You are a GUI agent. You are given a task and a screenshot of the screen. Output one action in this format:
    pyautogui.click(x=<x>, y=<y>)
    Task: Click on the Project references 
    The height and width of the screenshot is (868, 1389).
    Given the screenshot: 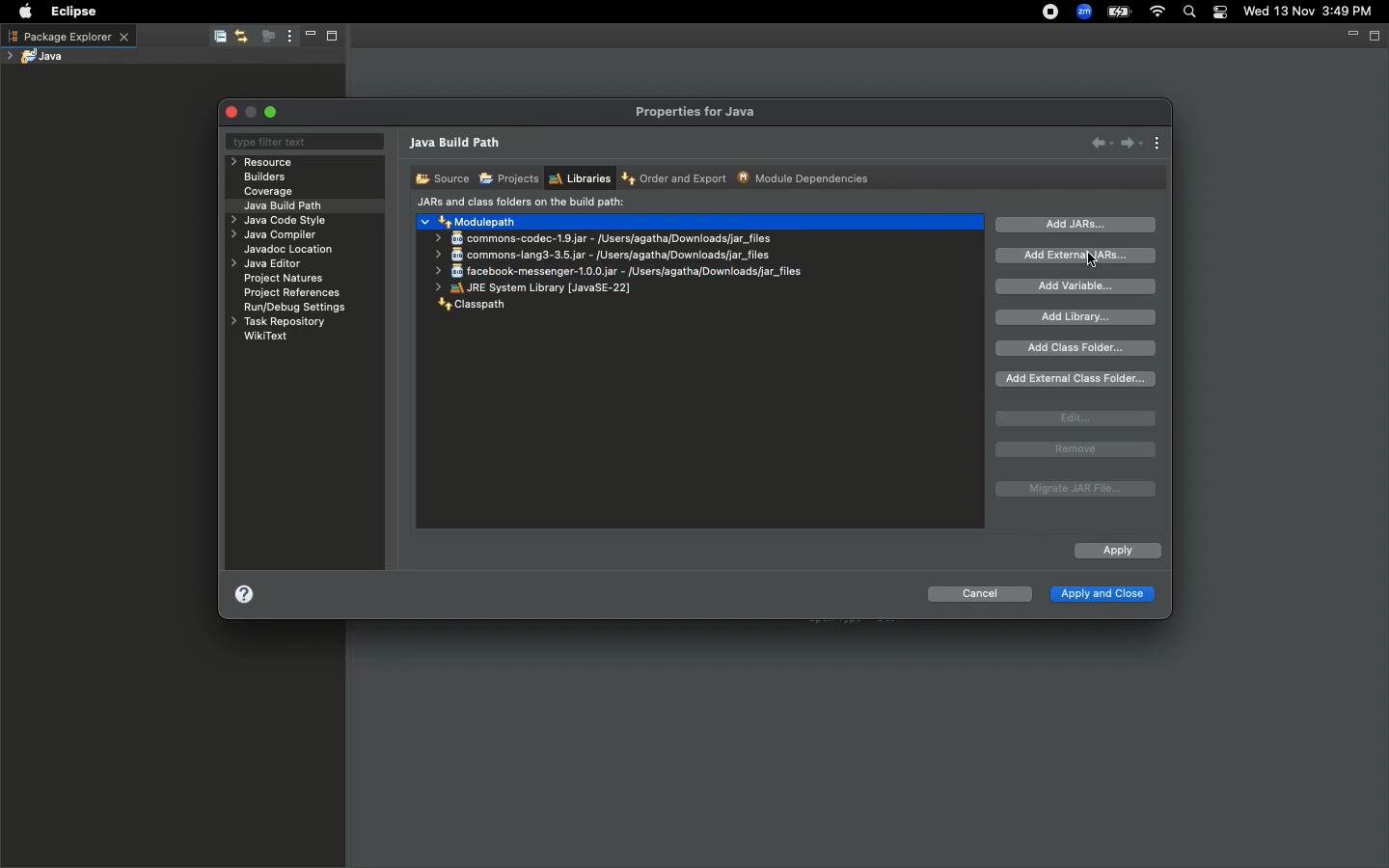 What is the action you would take?
    pyautogui.click(x=294, y=293)
    